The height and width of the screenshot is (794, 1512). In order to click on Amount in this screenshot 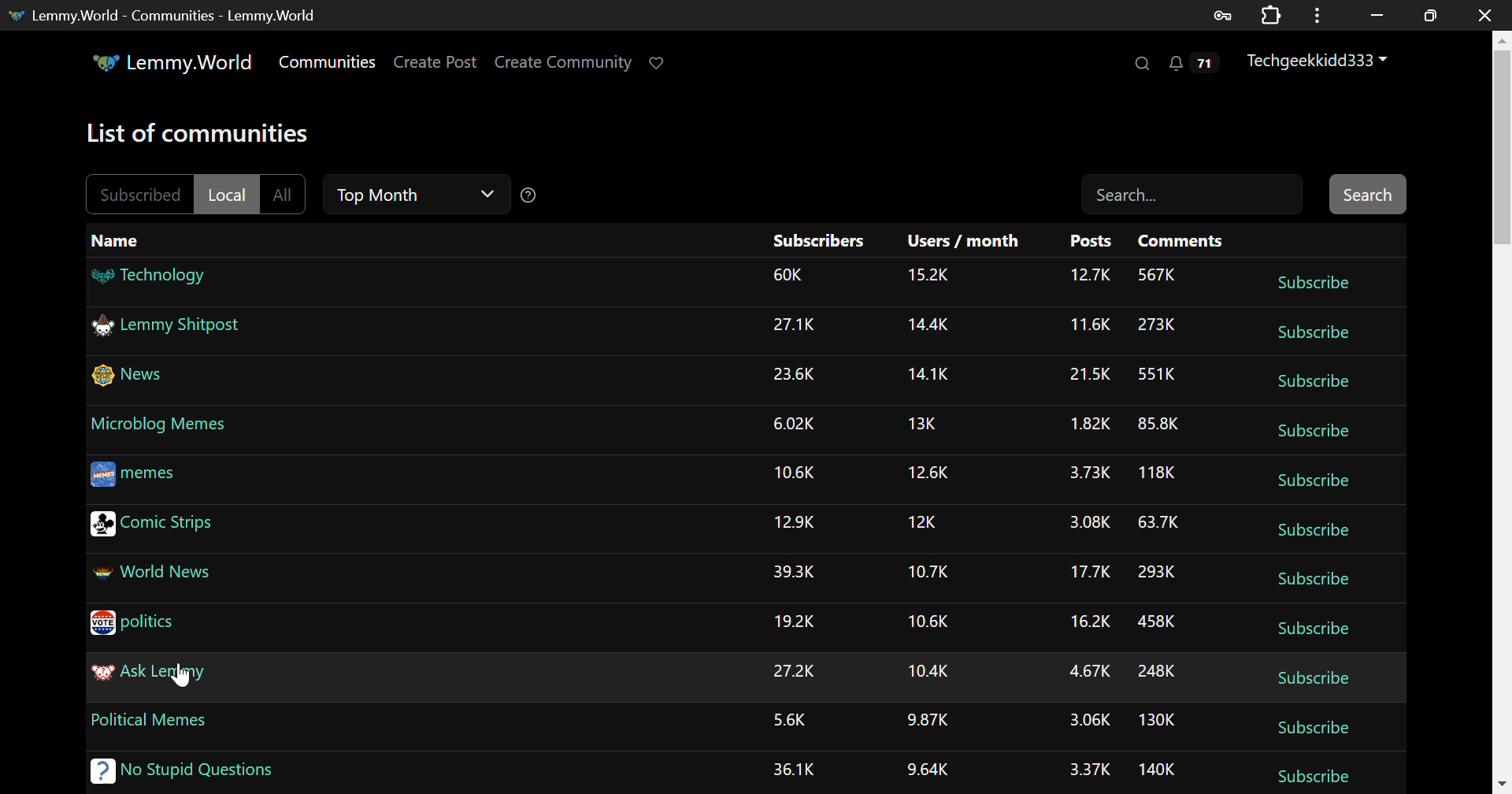, I will do `click(1153, 376)`.